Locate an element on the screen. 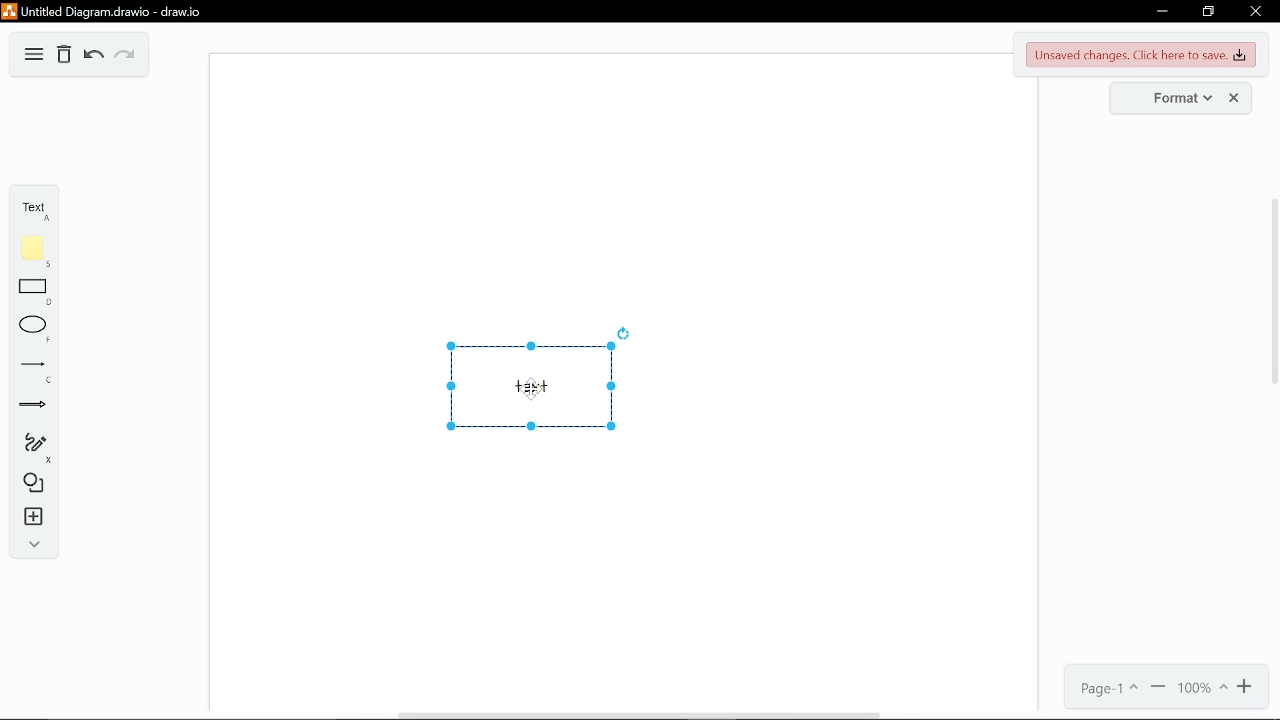 Image resolution: width=1280 pixels, height=720 pixels. page is located at coordinates (1105, 686).